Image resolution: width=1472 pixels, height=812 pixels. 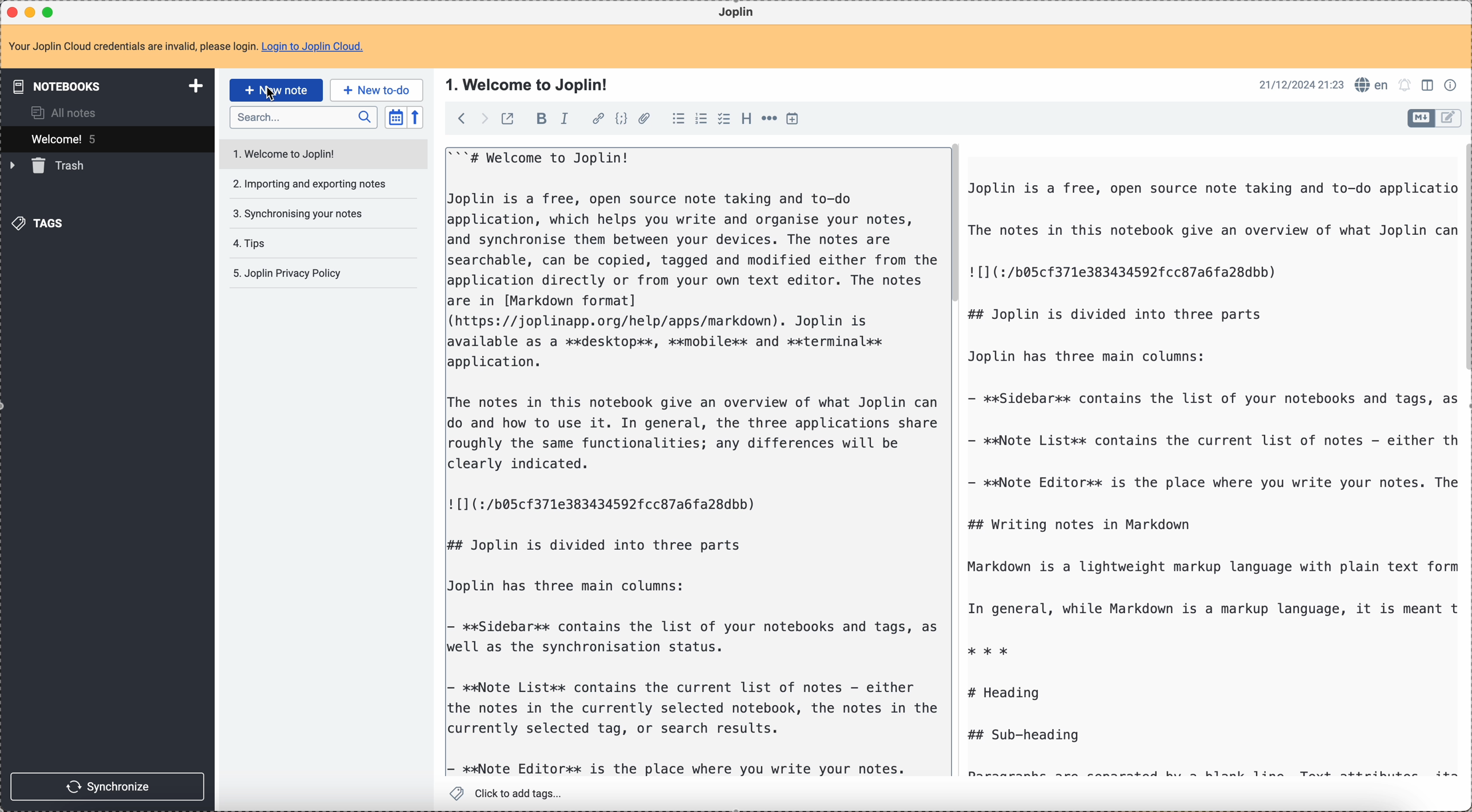 What do you see at coordinates (50, 166) in the screenshot?
I see `trash` at bounding box center [50, 166].